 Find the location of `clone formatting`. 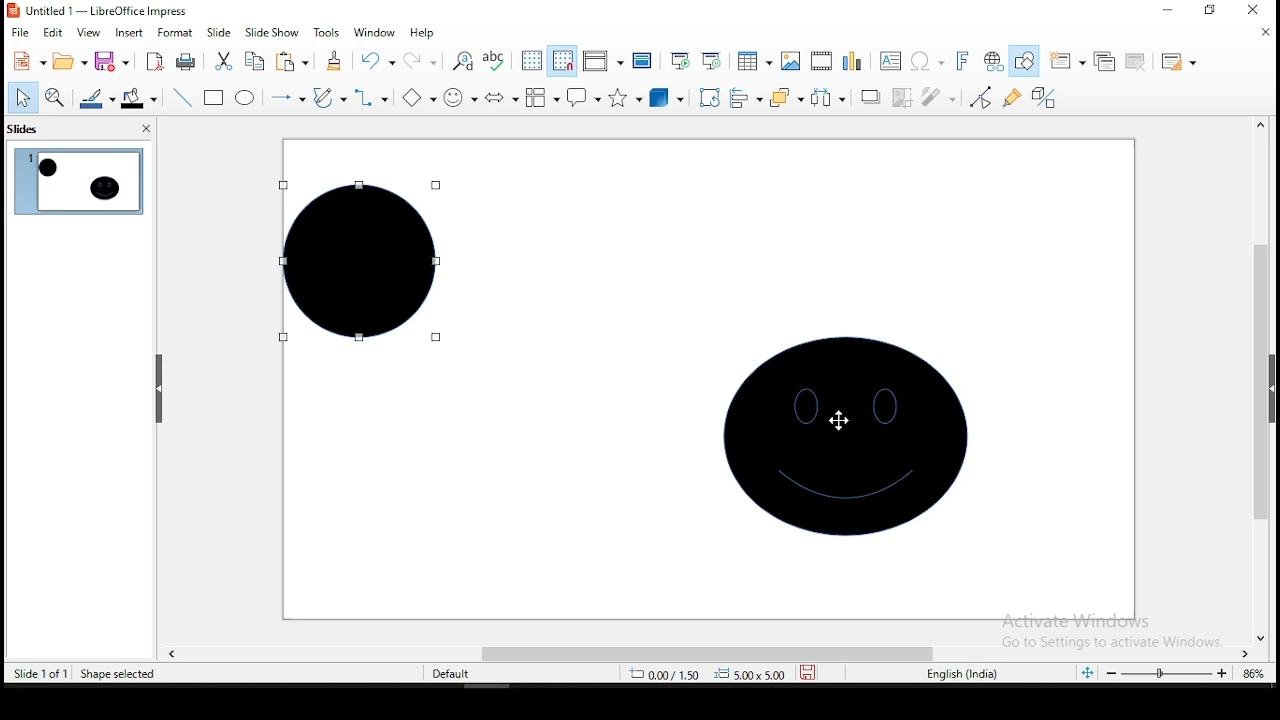

clone formatting is located at coordinates (332, 61).